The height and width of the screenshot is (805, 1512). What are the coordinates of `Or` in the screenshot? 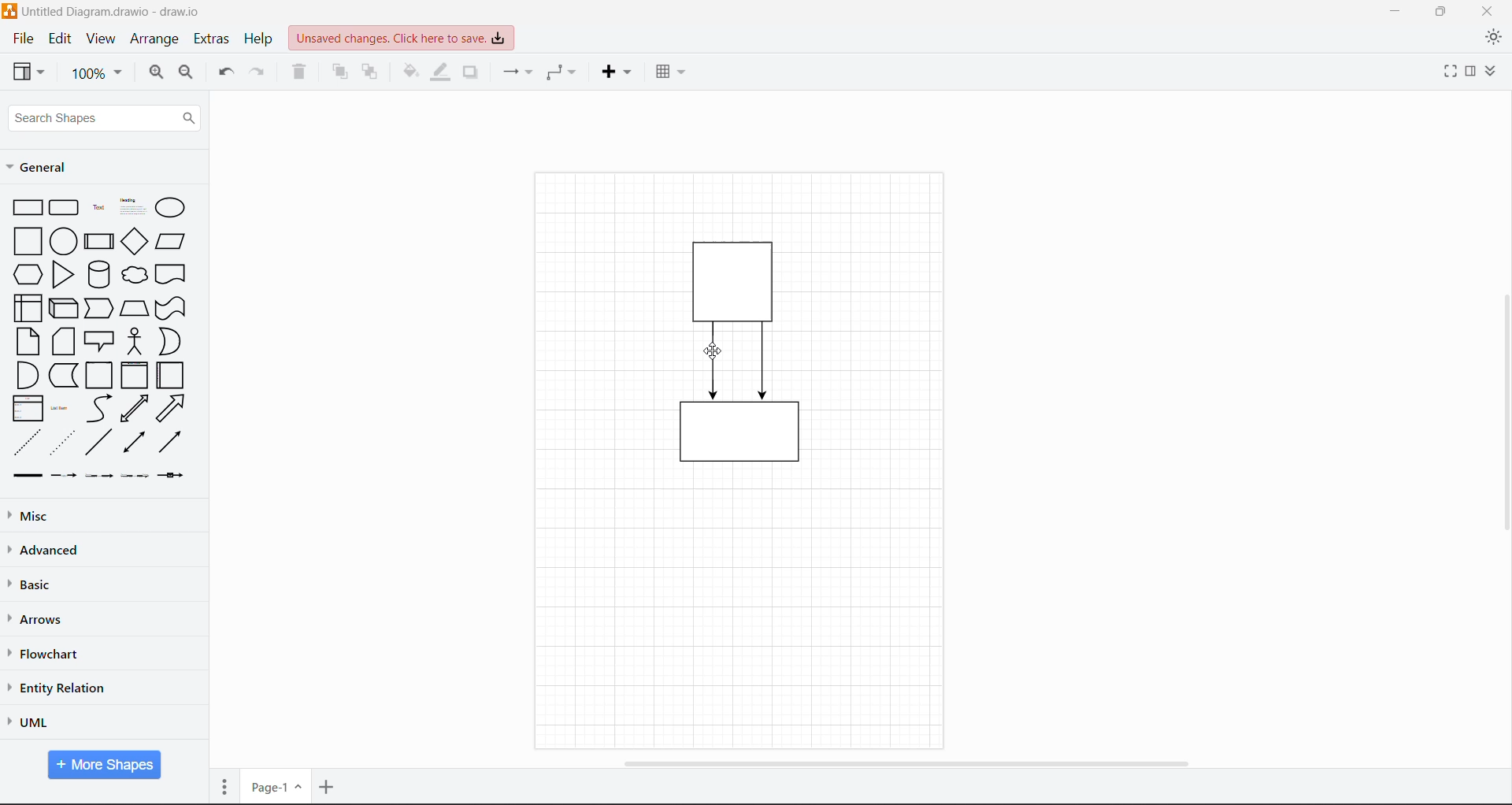 It's located at (169, 341).